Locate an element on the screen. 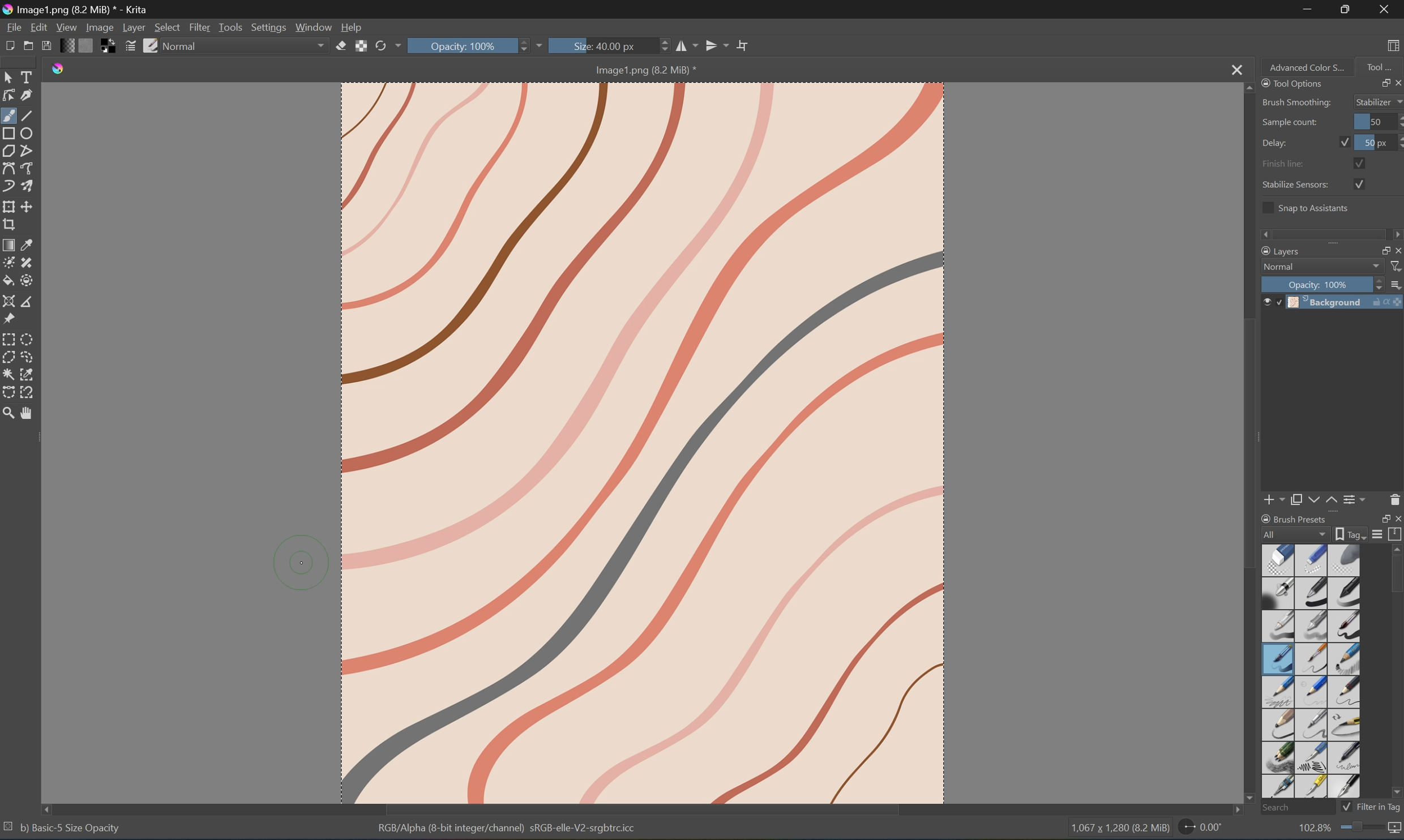 The width and height of the screenshot is (1404, 840). Storage resources is located at coordinates (1396, 534).